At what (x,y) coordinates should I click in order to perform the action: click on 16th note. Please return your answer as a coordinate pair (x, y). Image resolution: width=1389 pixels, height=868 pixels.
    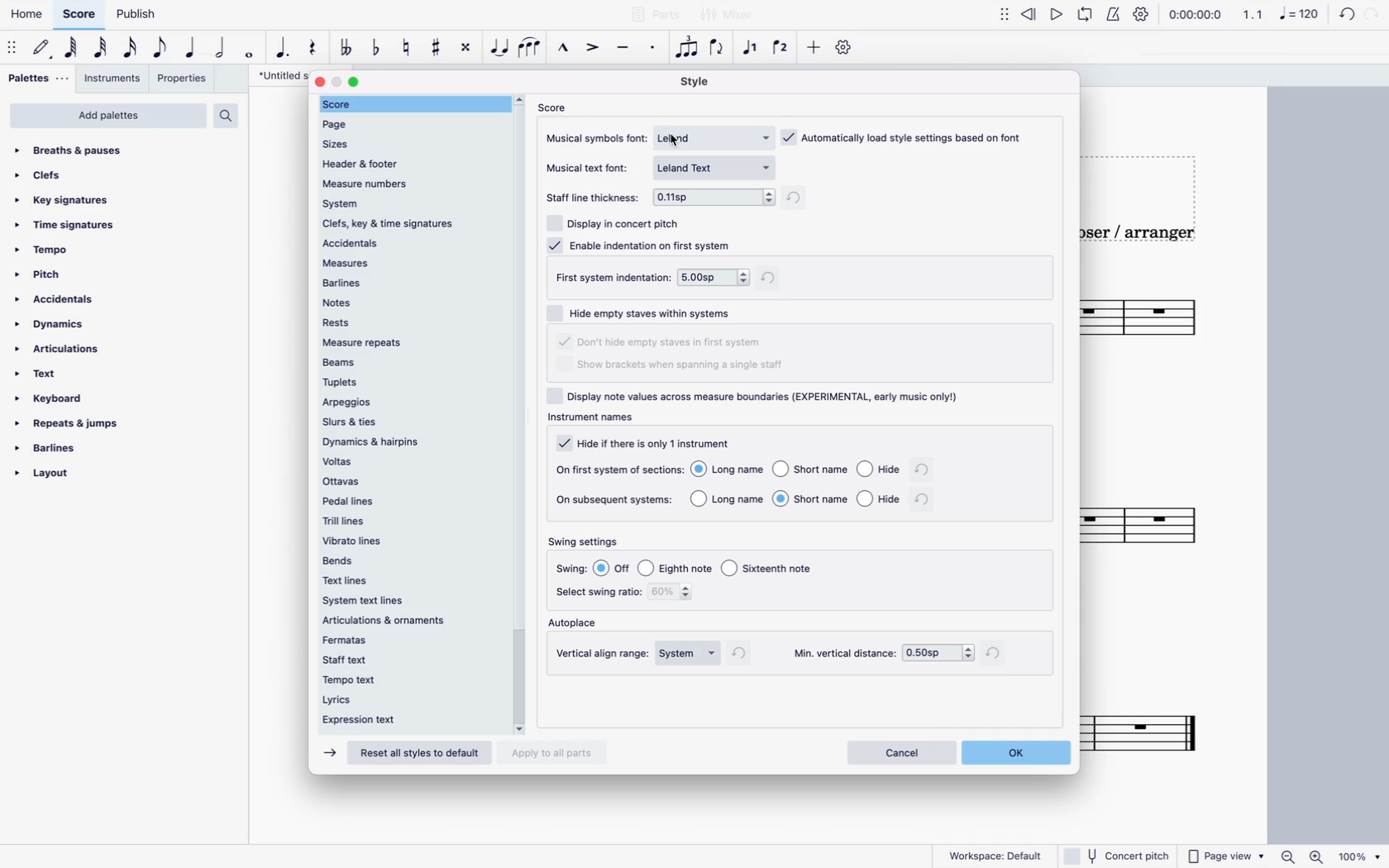
    Looking at the image, I should click on (133, 51).